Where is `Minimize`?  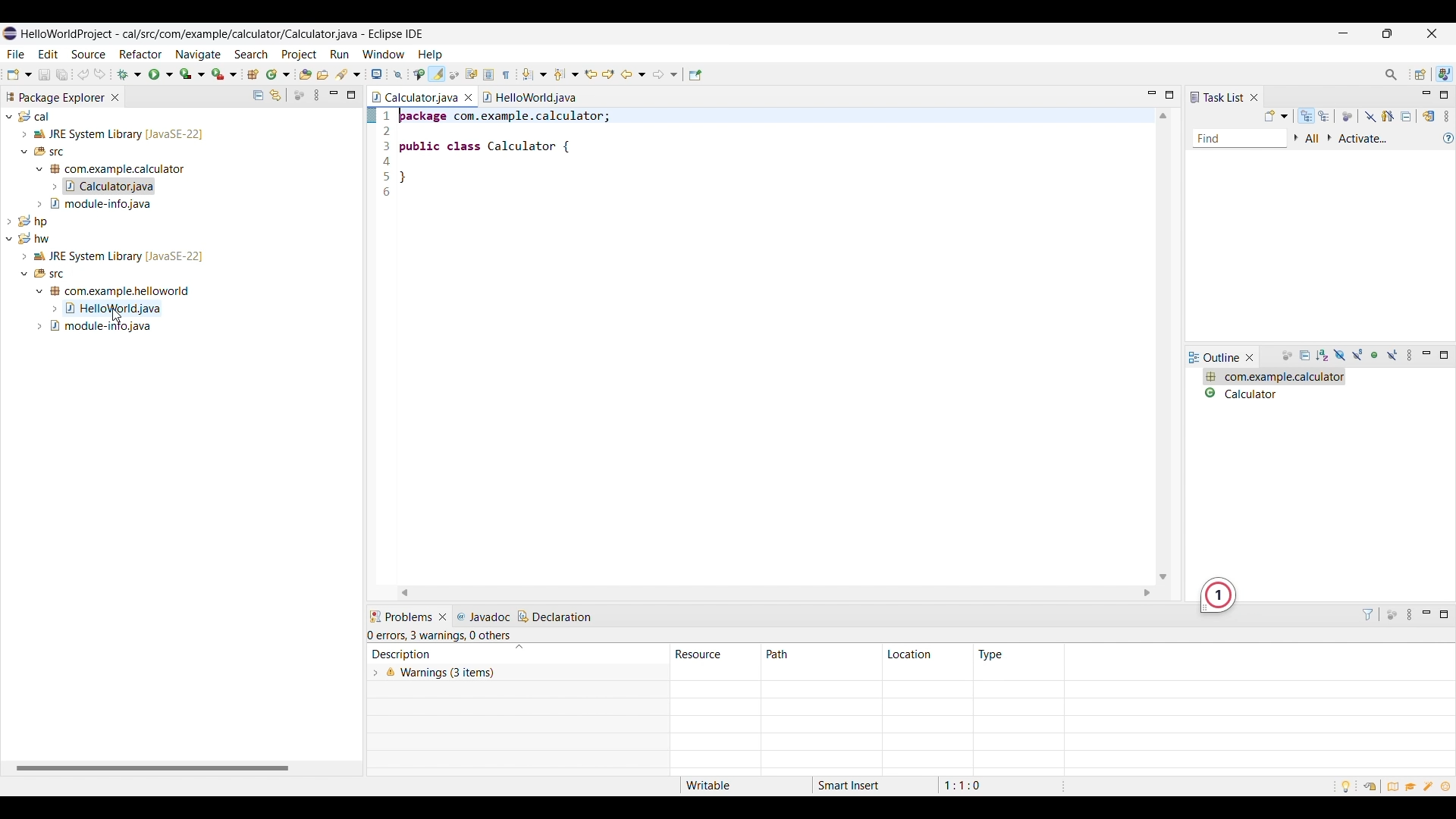
Minimize is located at coordinates (334, 95).